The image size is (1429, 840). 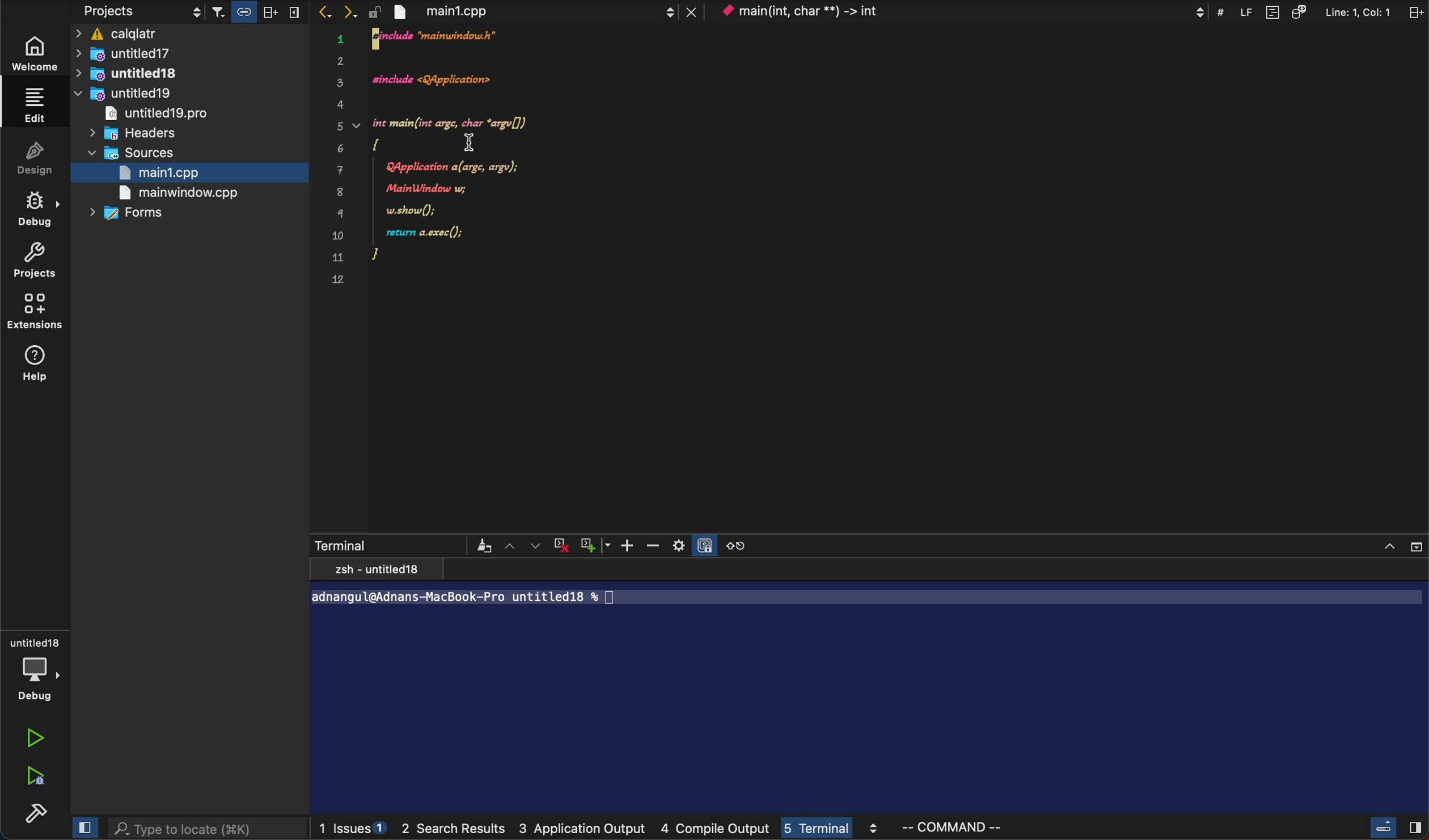 What do you see at coordinates (458, 831) in the screenshot?
I see `search result` at bounding box center [458, 831].